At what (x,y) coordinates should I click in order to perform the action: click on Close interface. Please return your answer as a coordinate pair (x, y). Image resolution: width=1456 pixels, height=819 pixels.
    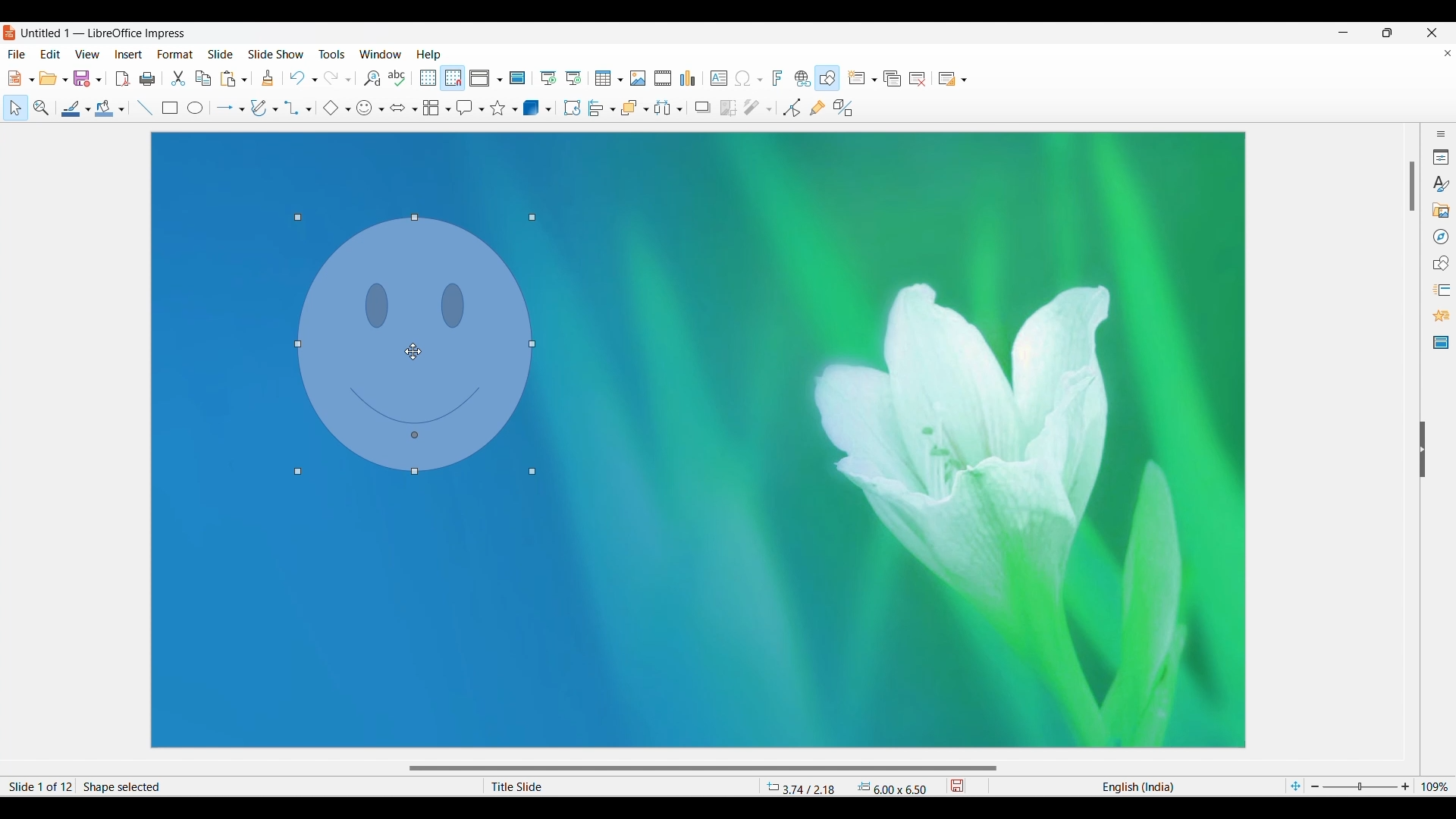
    Looking at the image, I should click on (1431, 33).